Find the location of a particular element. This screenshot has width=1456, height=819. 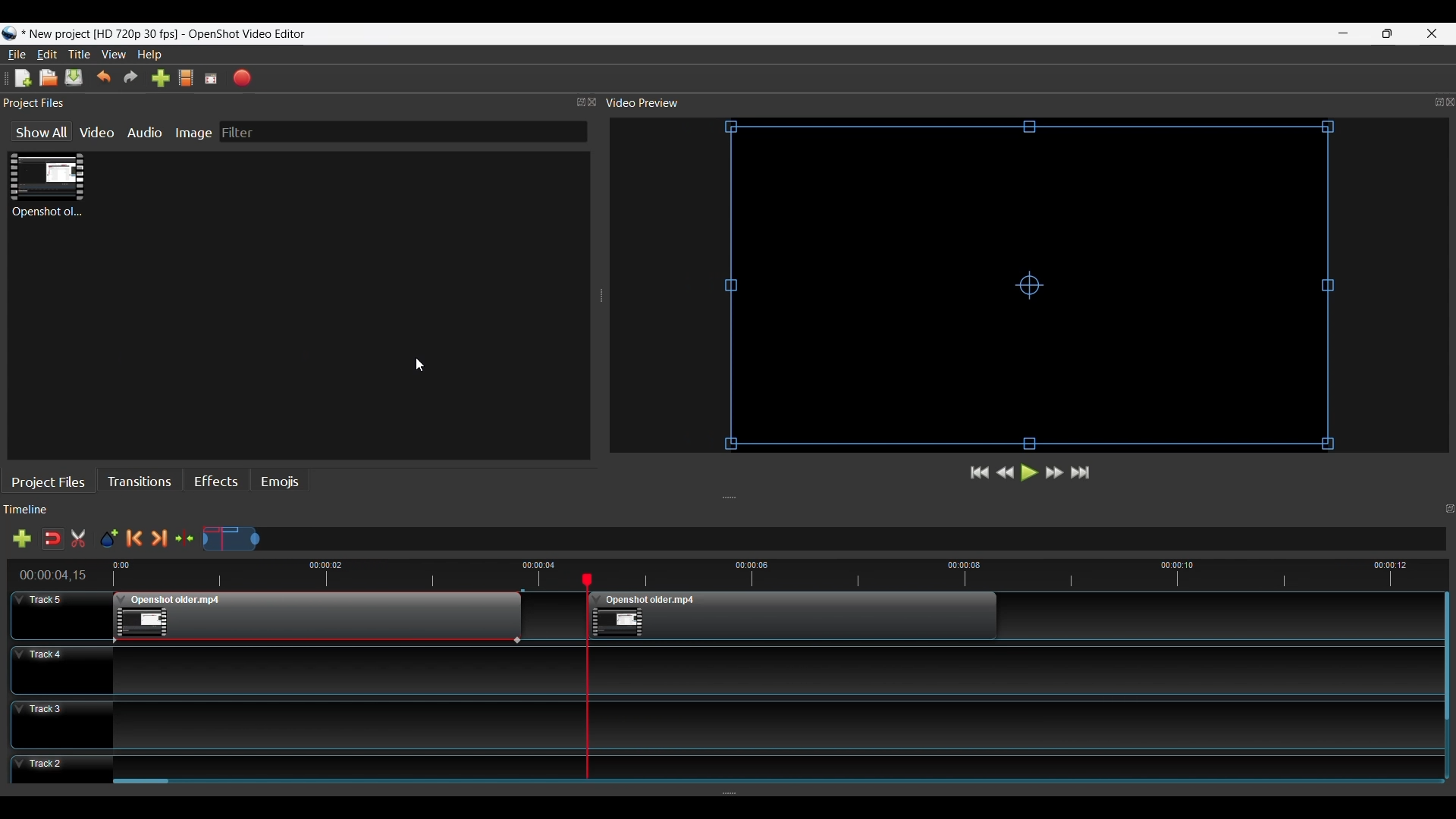

Track Panel is located at coordinates (770, 724).